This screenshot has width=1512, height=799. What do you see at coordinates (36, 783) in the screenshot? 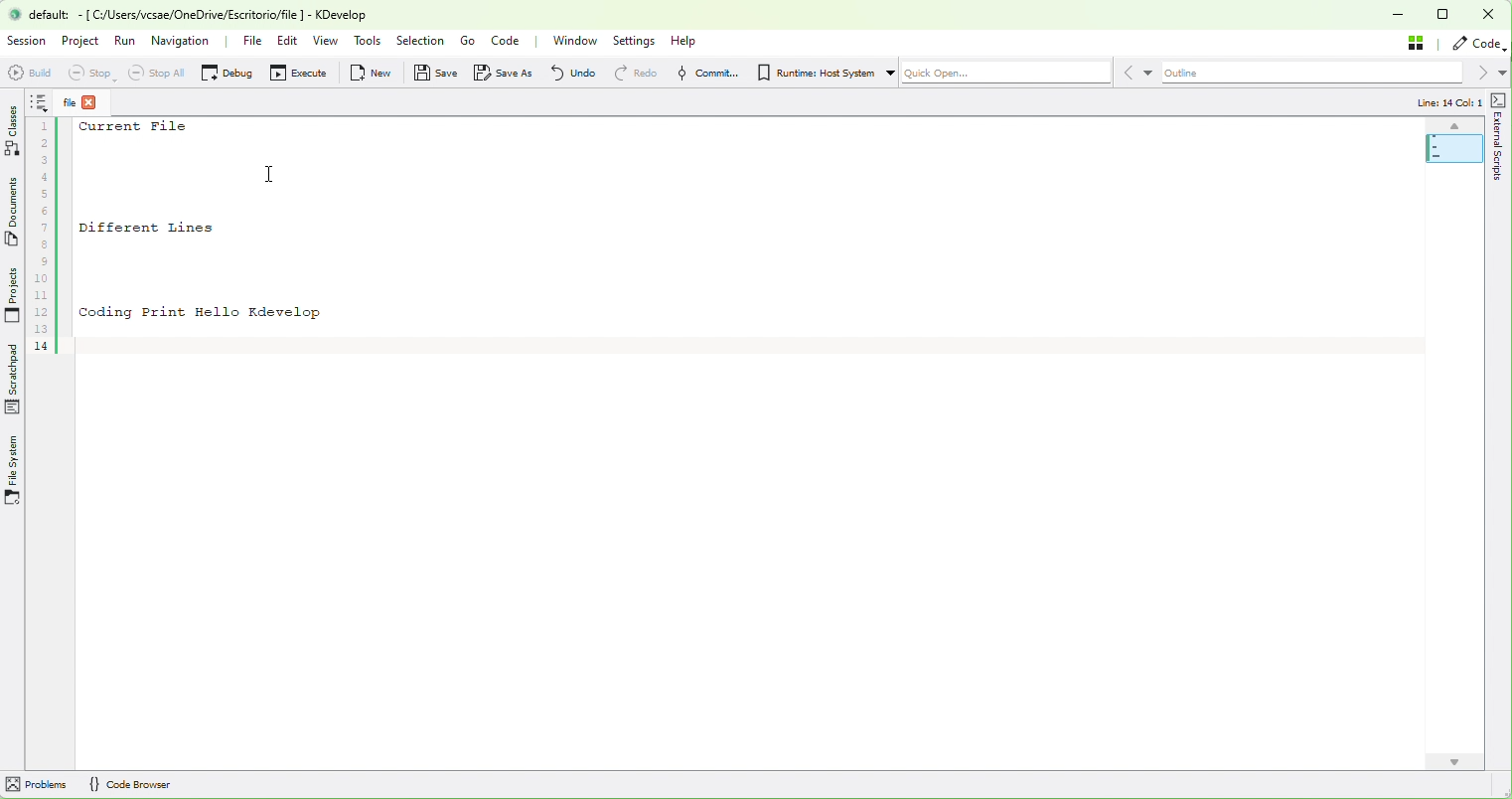
I see `problem` at bounding box center [36, 783].